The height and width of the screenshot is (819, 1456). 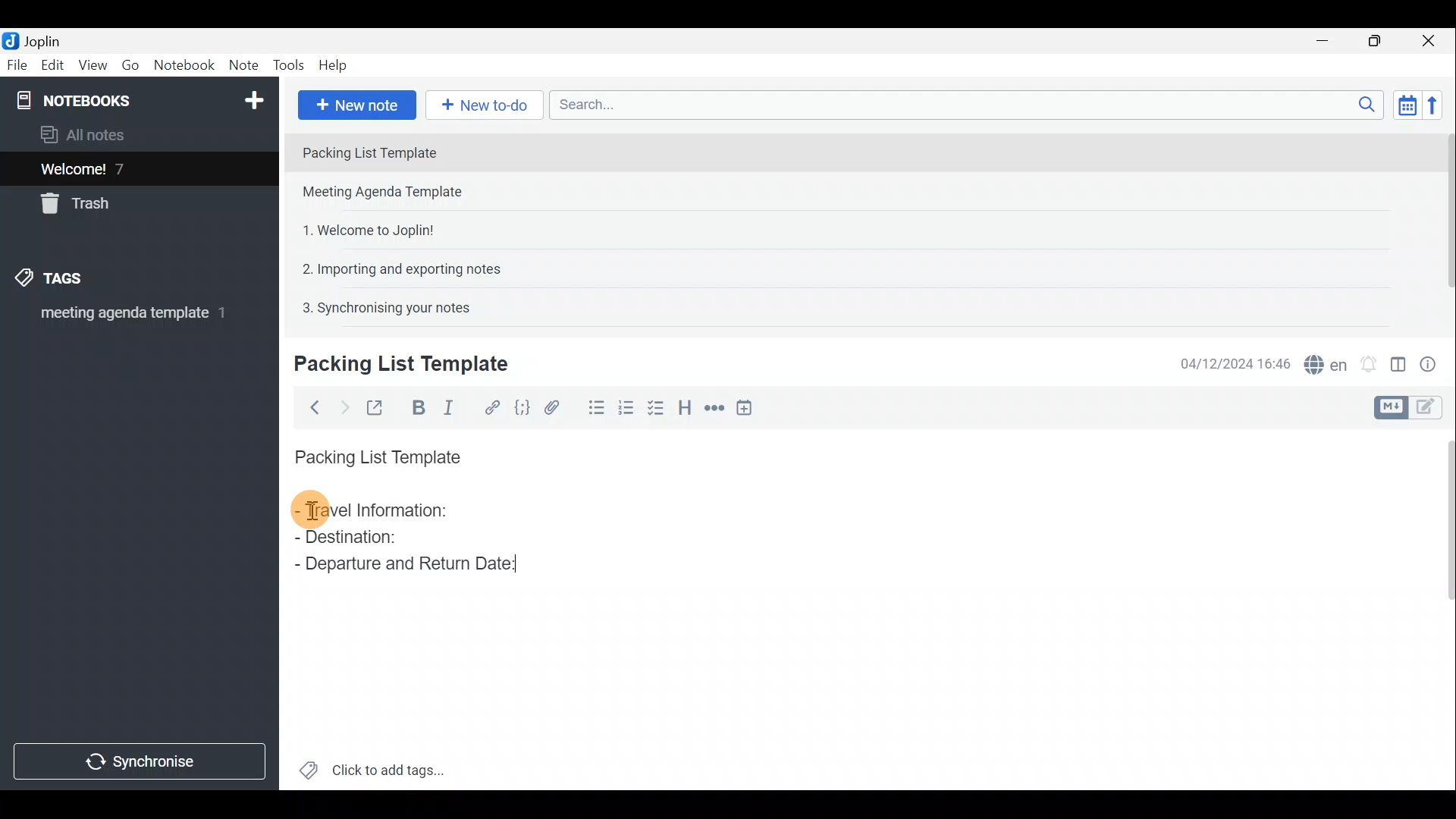 I want to click on Code, so click(x=522, y=406).